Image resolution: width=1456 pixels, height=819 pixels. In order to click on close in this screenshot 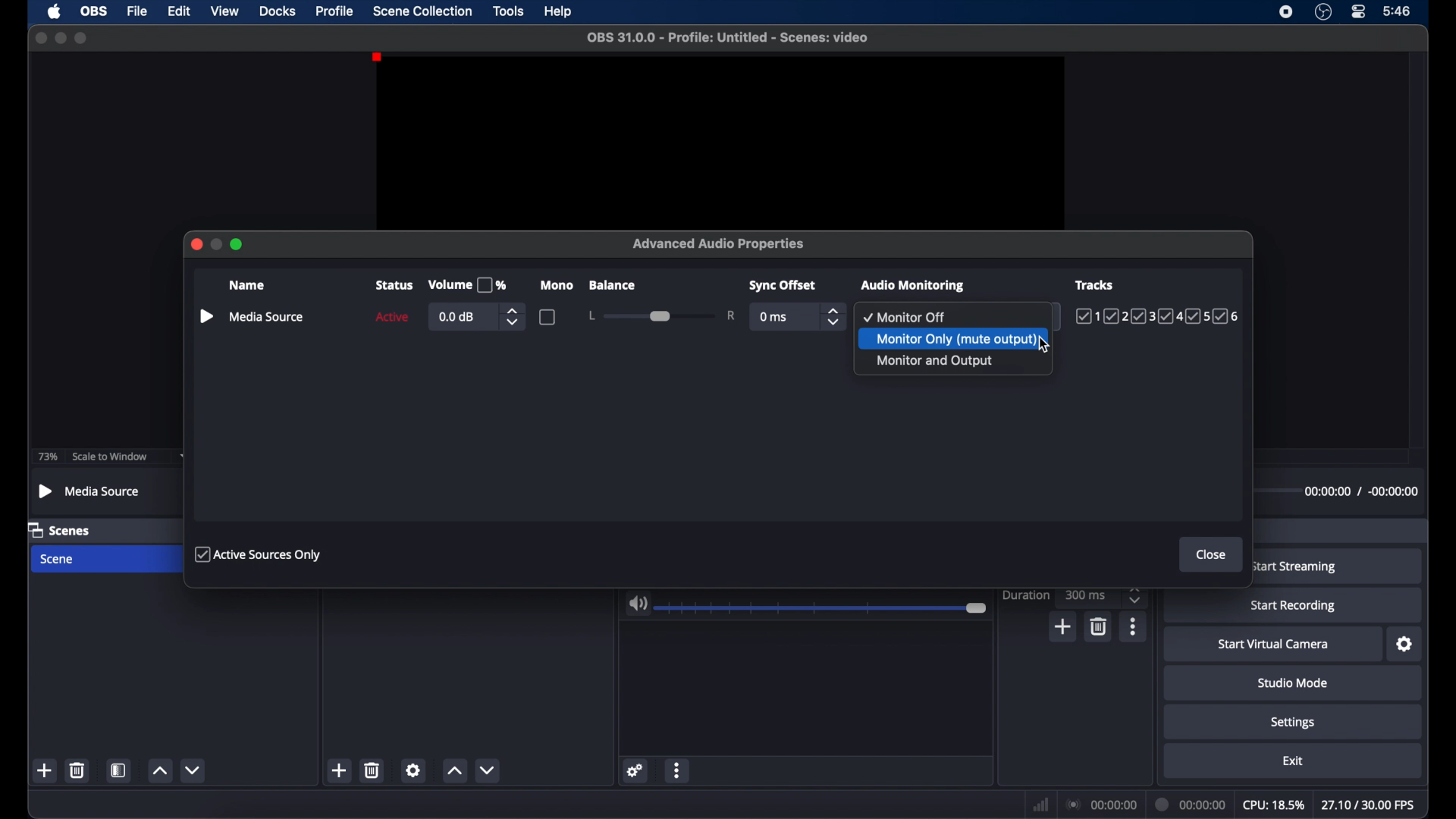, I will do `click(40, 38)`.